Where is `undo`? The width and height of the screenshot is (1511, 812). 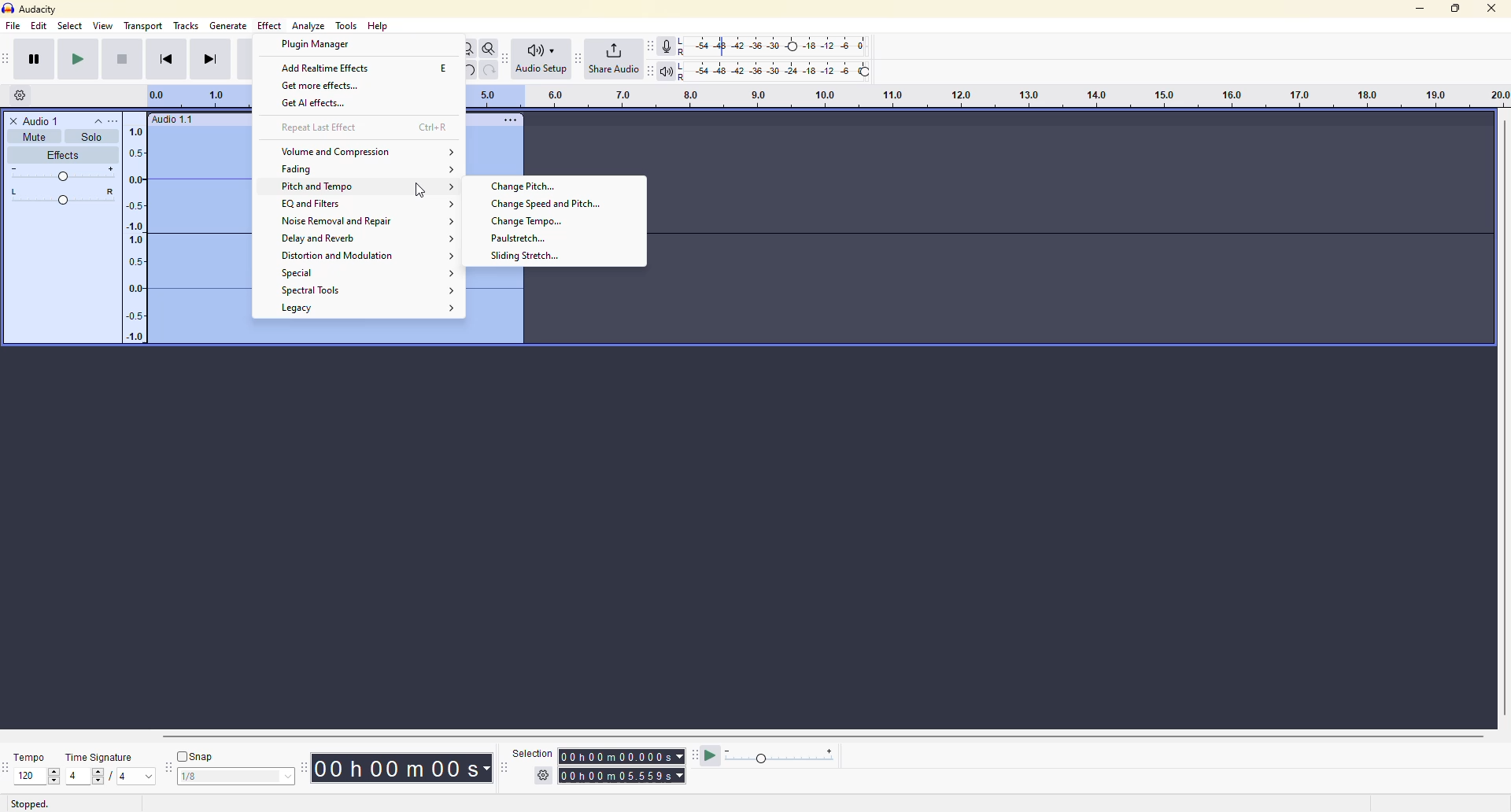
undo is located at coordinates (467, 70).